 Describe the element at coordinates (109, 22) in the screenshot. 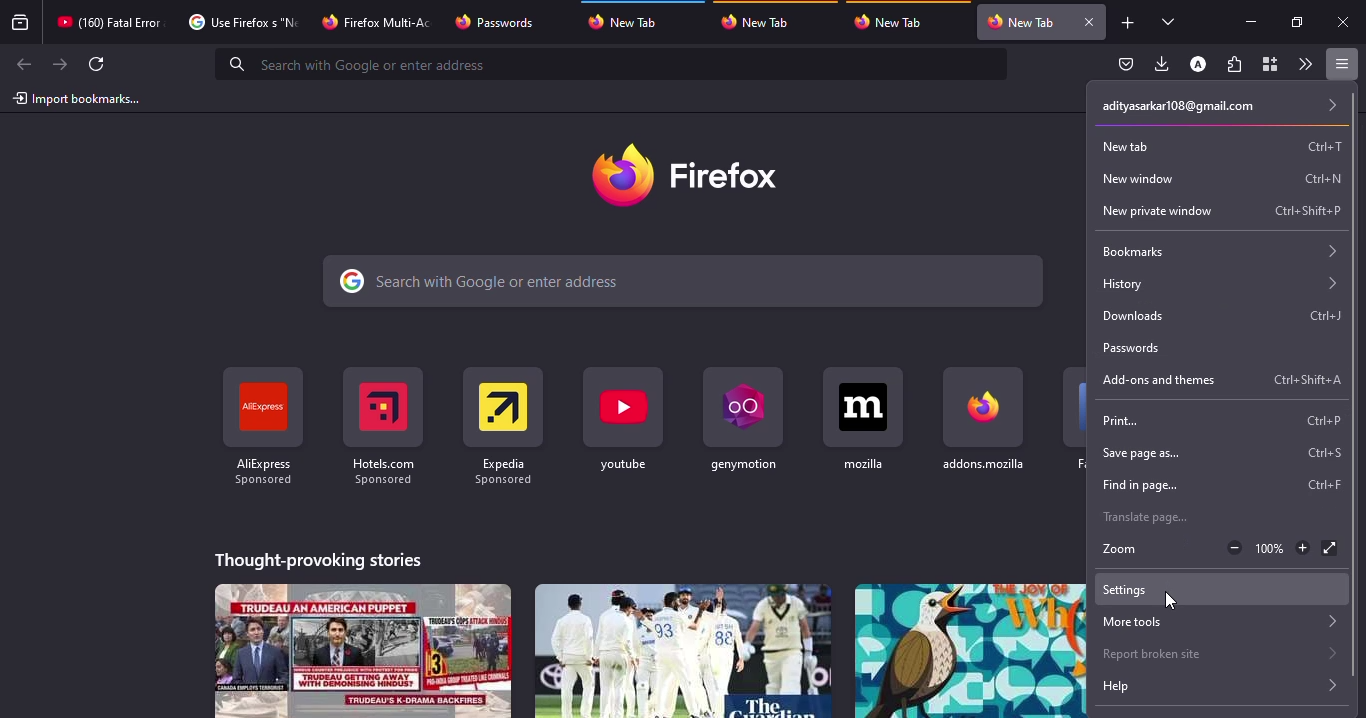

I see `tab` at that location.